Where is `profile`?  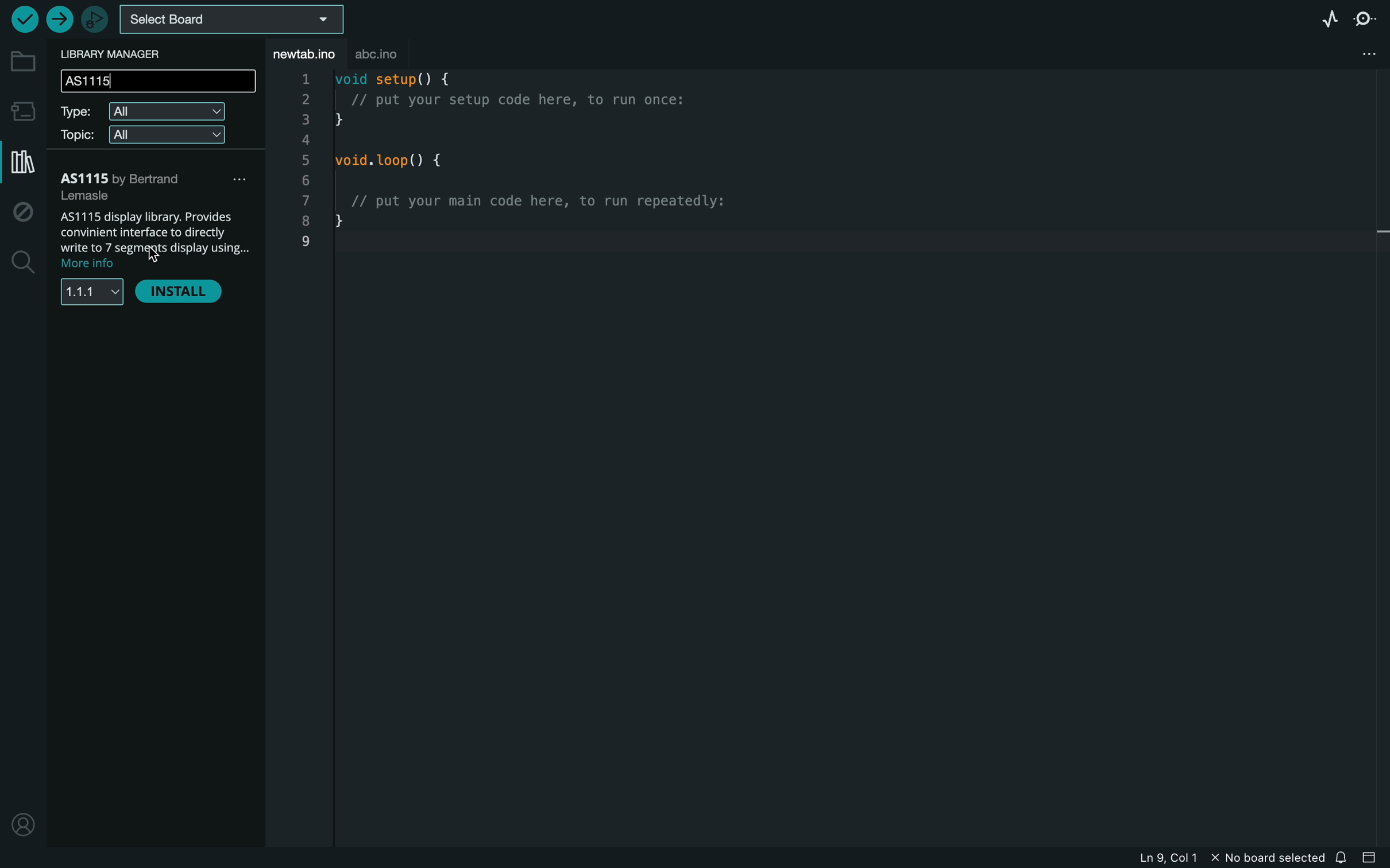 profile is located at coordinates (23, 827).